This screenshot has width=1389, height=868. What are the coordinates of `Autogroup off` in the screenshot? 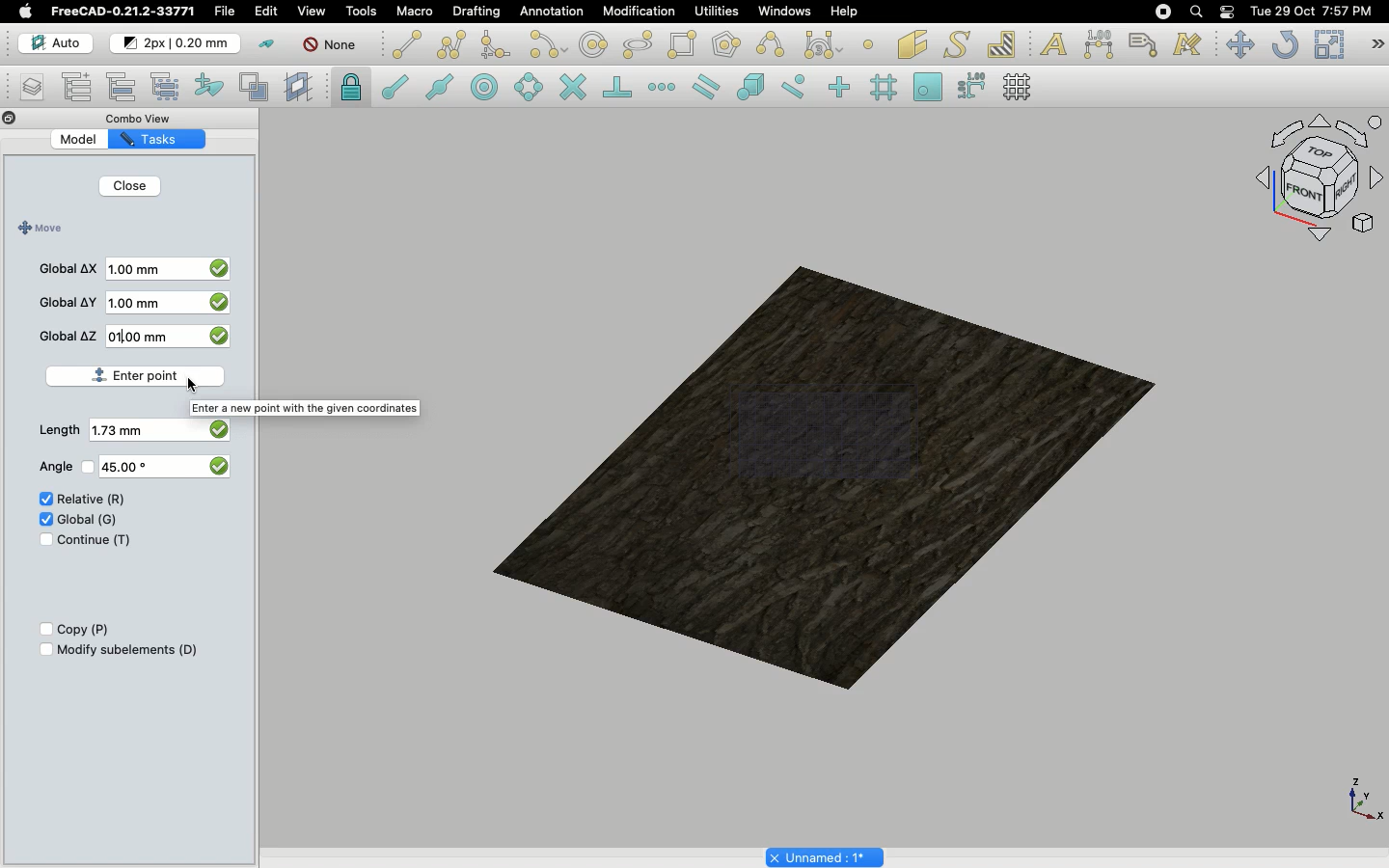 It's located at (333, 46).